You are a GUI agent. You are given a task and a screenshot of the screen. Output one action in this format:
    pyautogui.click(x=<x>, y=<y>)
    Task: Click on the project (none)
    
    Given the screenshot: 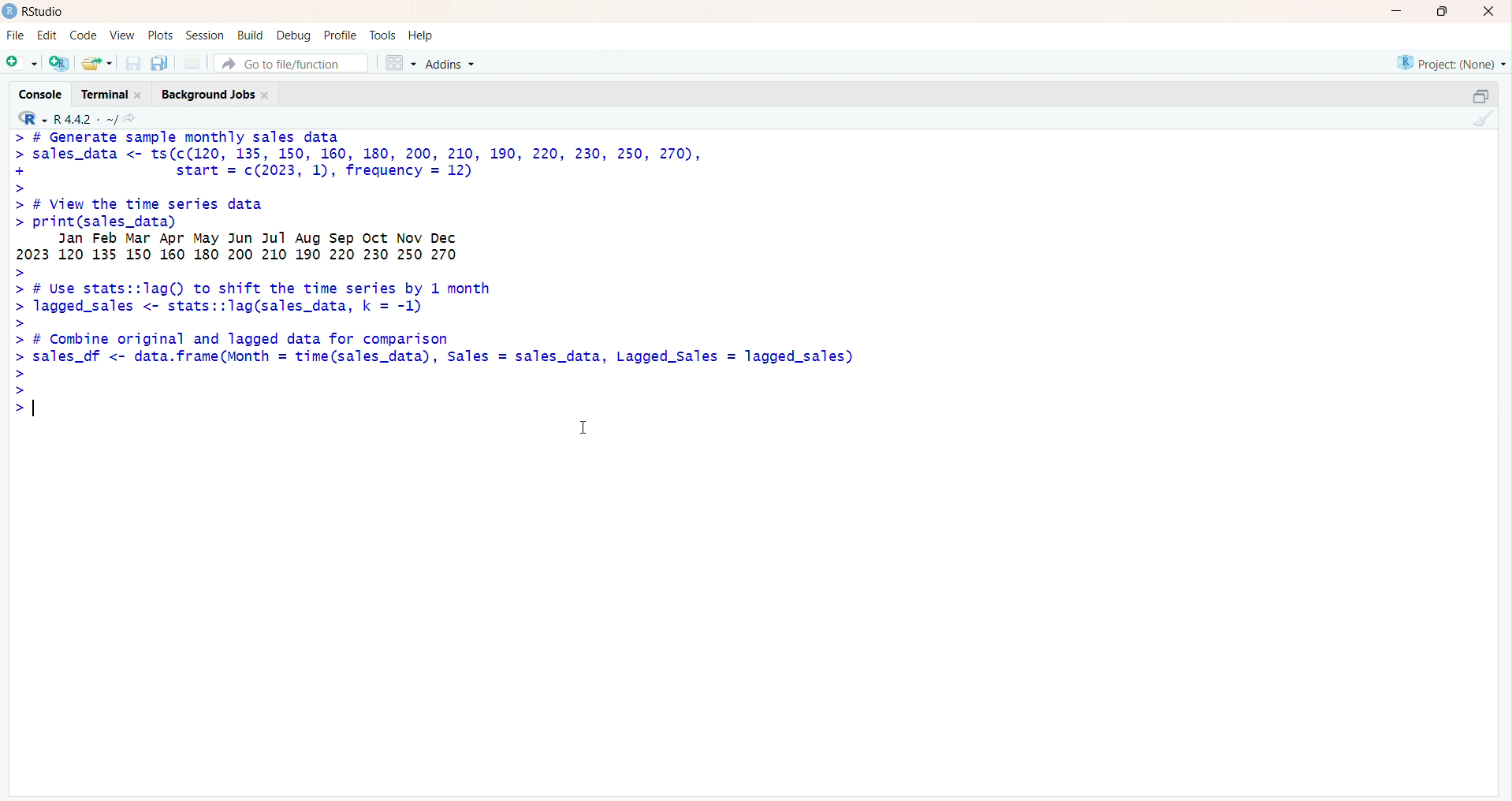 What is the action you would take?
    pyautogui.click(x=1449, y=61)
    